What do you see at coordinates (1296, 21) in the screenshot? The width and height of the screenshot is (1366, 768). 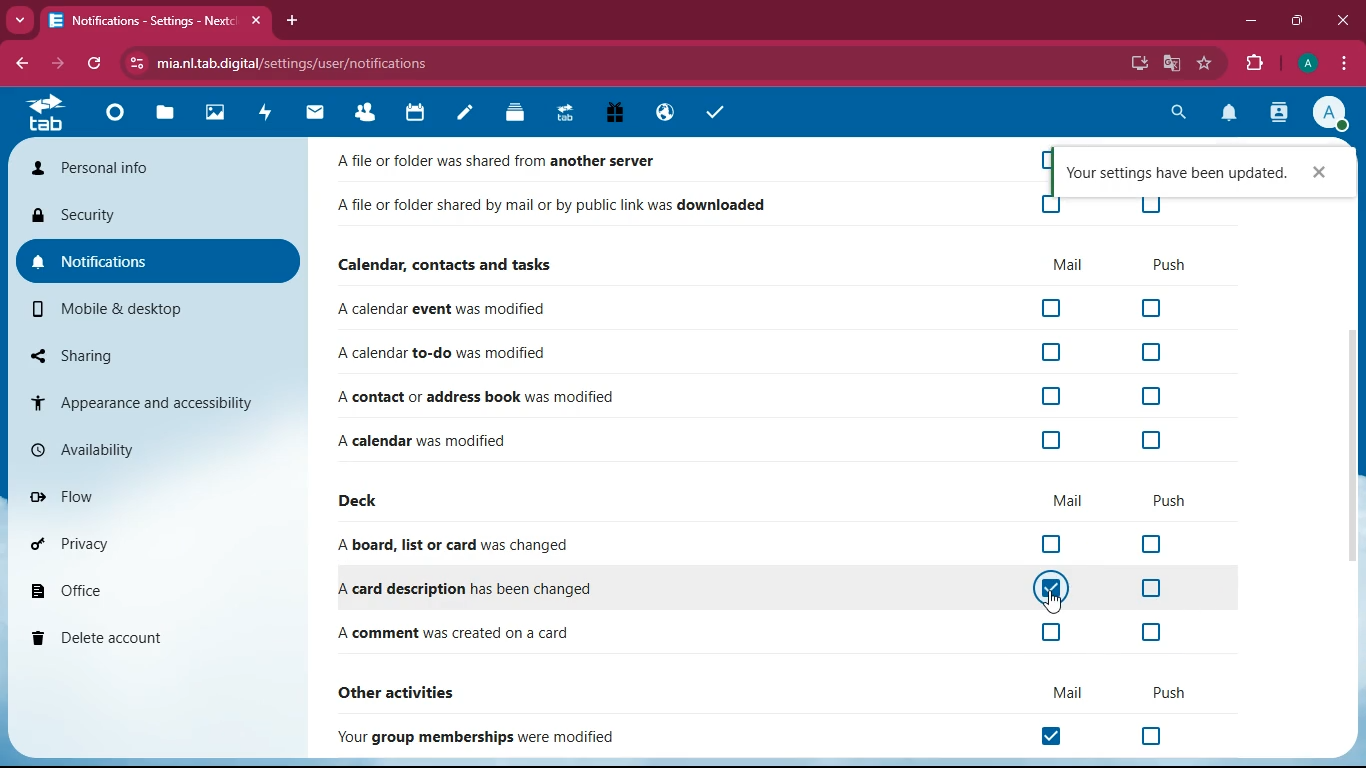 I see `maximize` at bounding box center [1296, 21].